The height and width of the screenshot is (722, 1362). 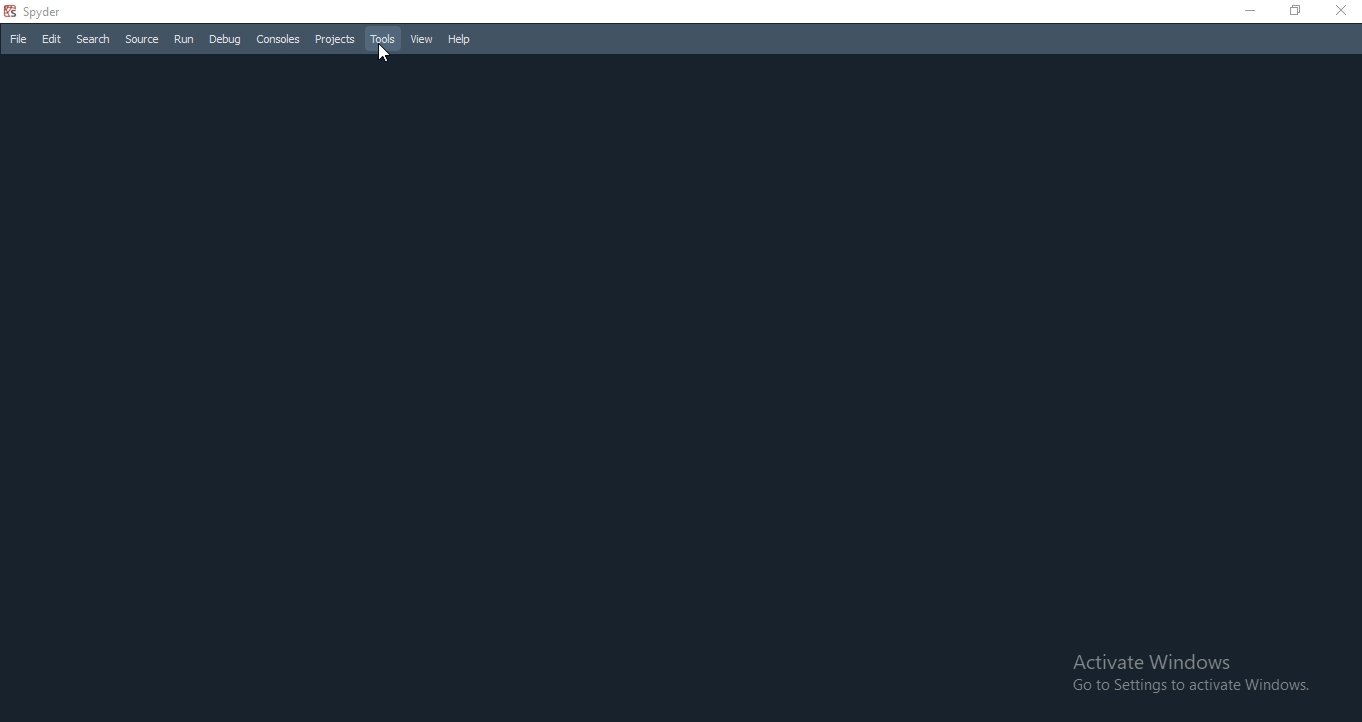 What do you see at coordinates (93, 39) in the screenshot?
I see `Search` at bounding box center [93, 39].